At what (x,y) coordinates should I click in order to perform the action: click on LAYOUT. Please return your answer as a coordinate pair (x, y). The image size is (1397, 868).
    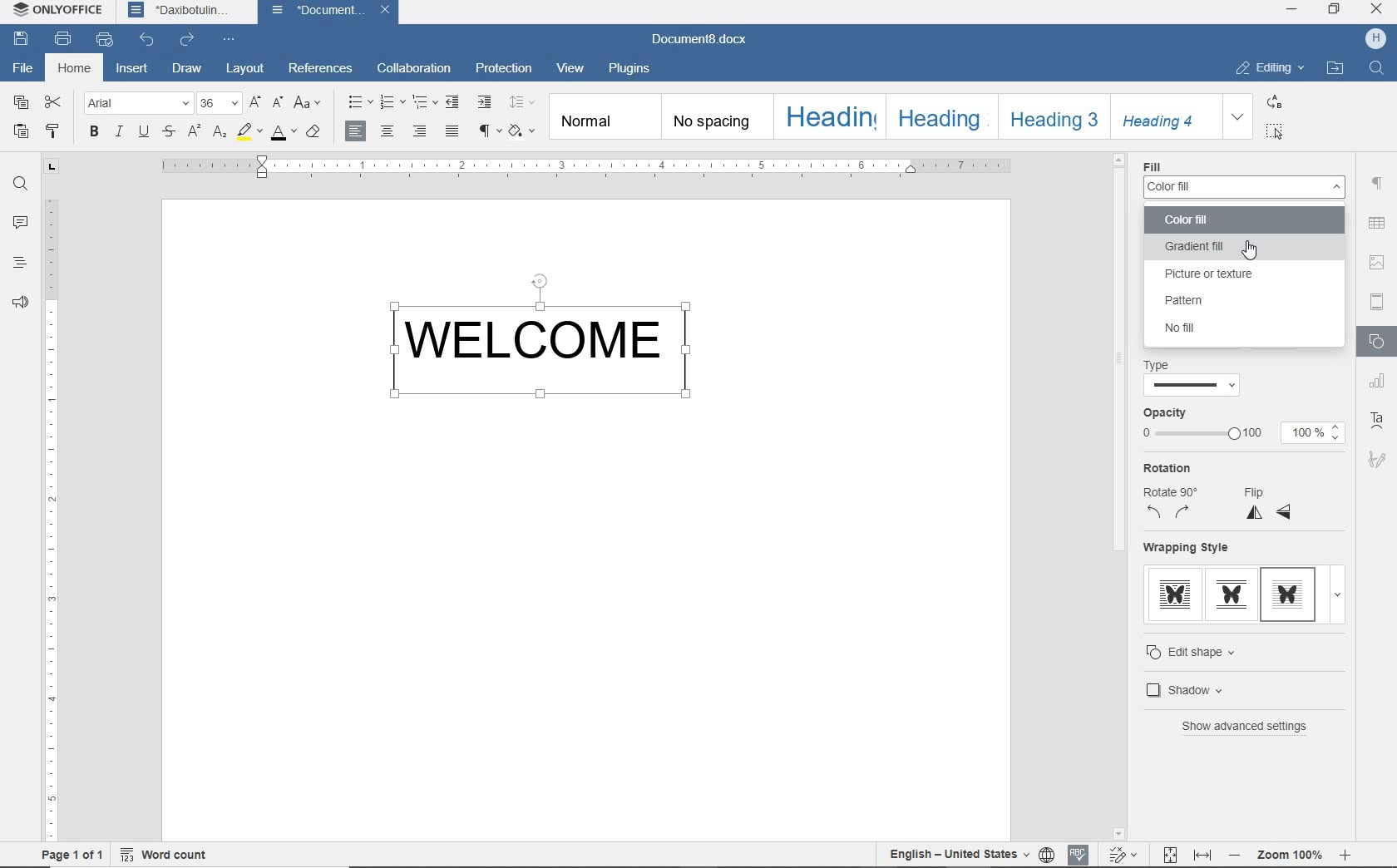
    Looking at the image, I should click on (245, 71).